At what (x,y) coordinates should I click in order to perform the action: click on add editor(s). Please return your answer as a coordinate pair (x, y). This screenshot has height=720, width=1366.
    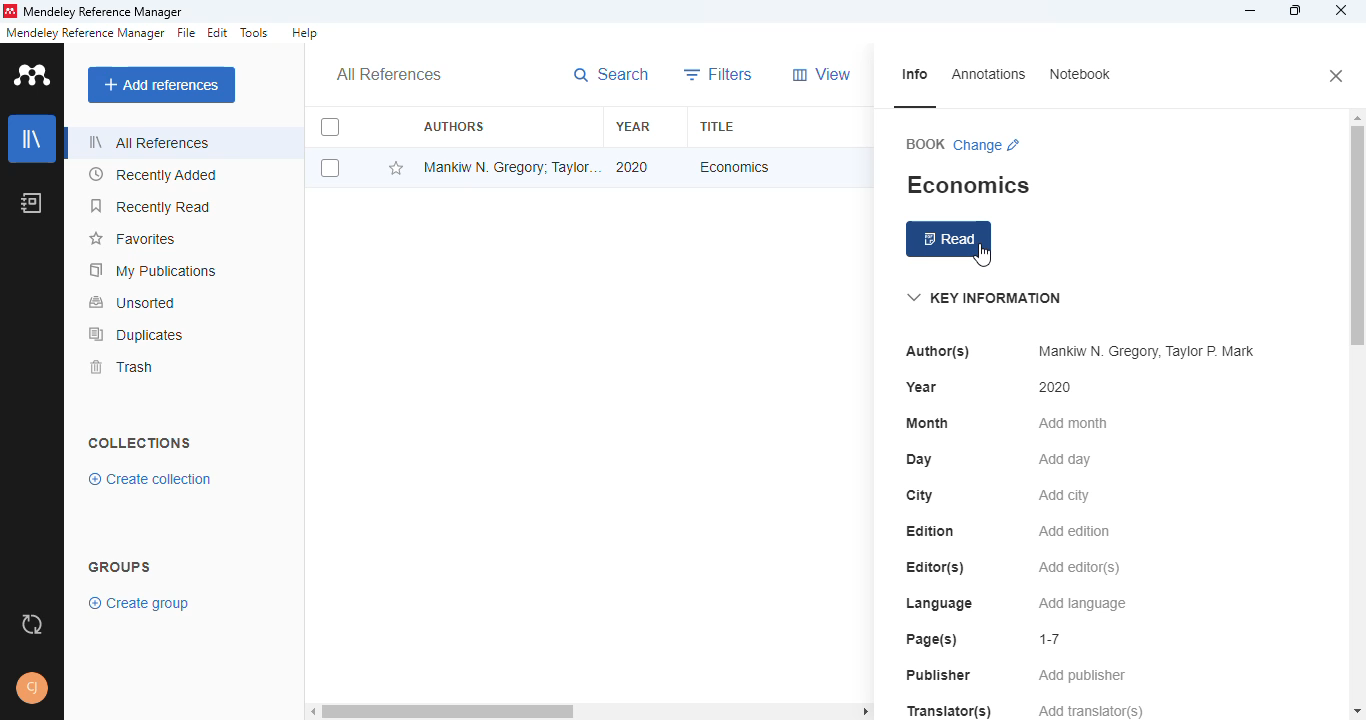
    Looking at the image, I should click on (1080, 568).